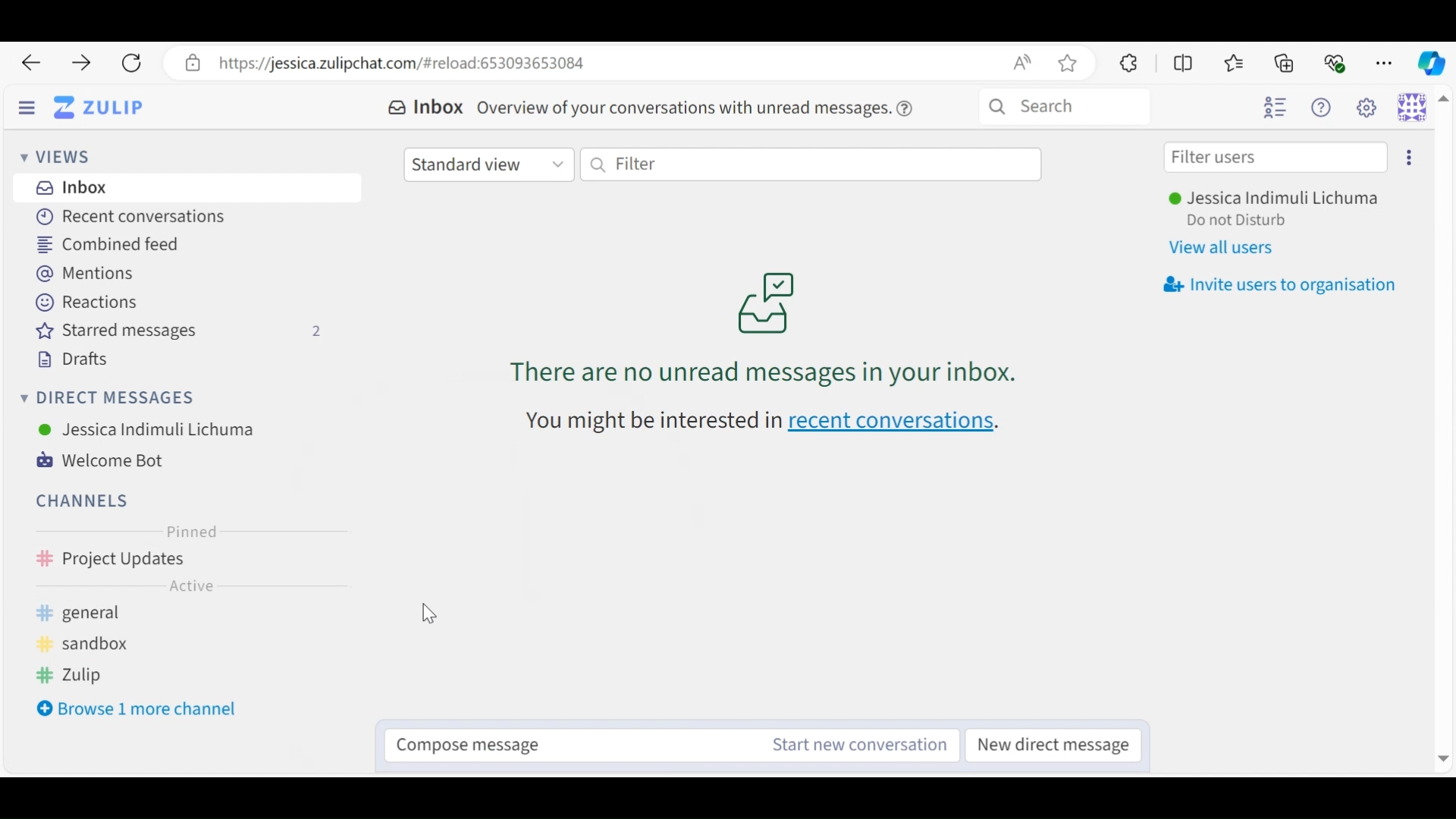 Image resolution: width=1456 pixels, height=819 pixels. I want to click on Use, so click(147, 428).